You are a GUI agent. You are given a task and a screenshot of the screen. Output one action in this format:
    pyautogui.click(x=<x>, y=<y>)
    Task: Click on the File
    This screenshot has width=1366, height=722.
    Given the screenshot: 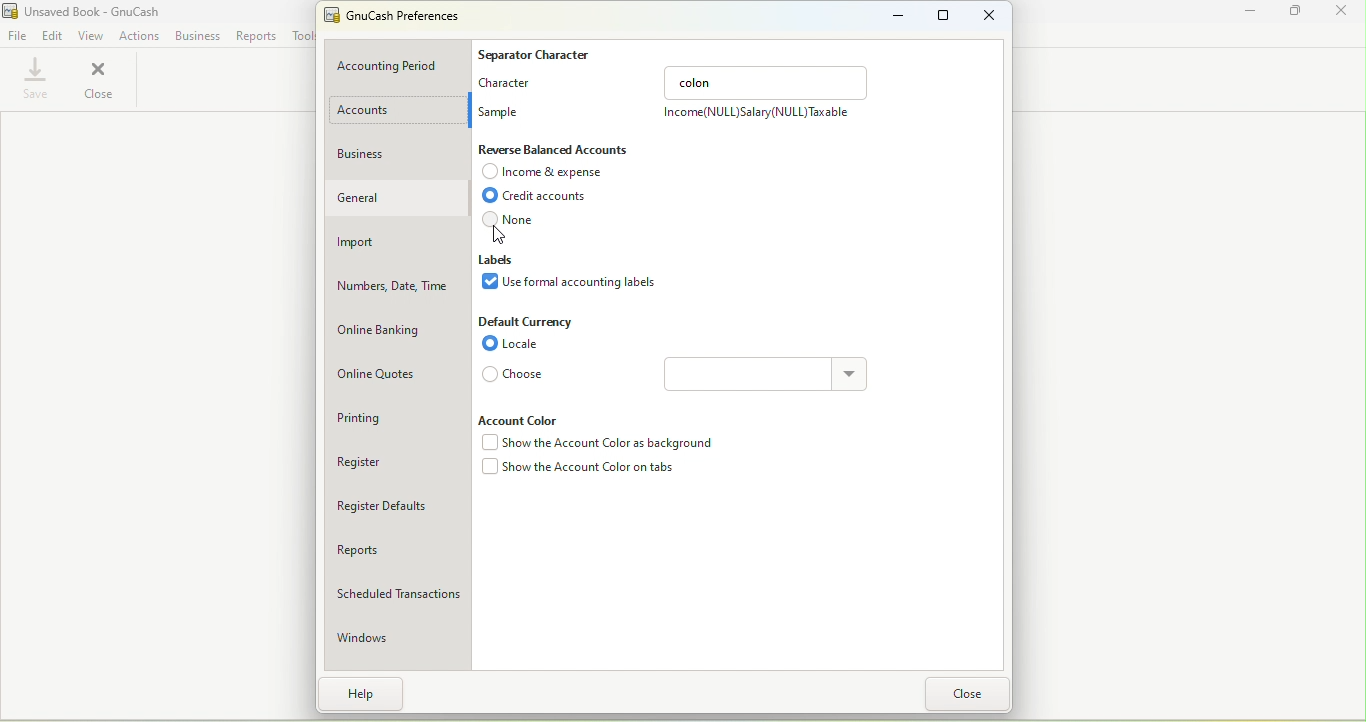 What is the action you would take?
    pyautogui.click(x=19, y=34)
    